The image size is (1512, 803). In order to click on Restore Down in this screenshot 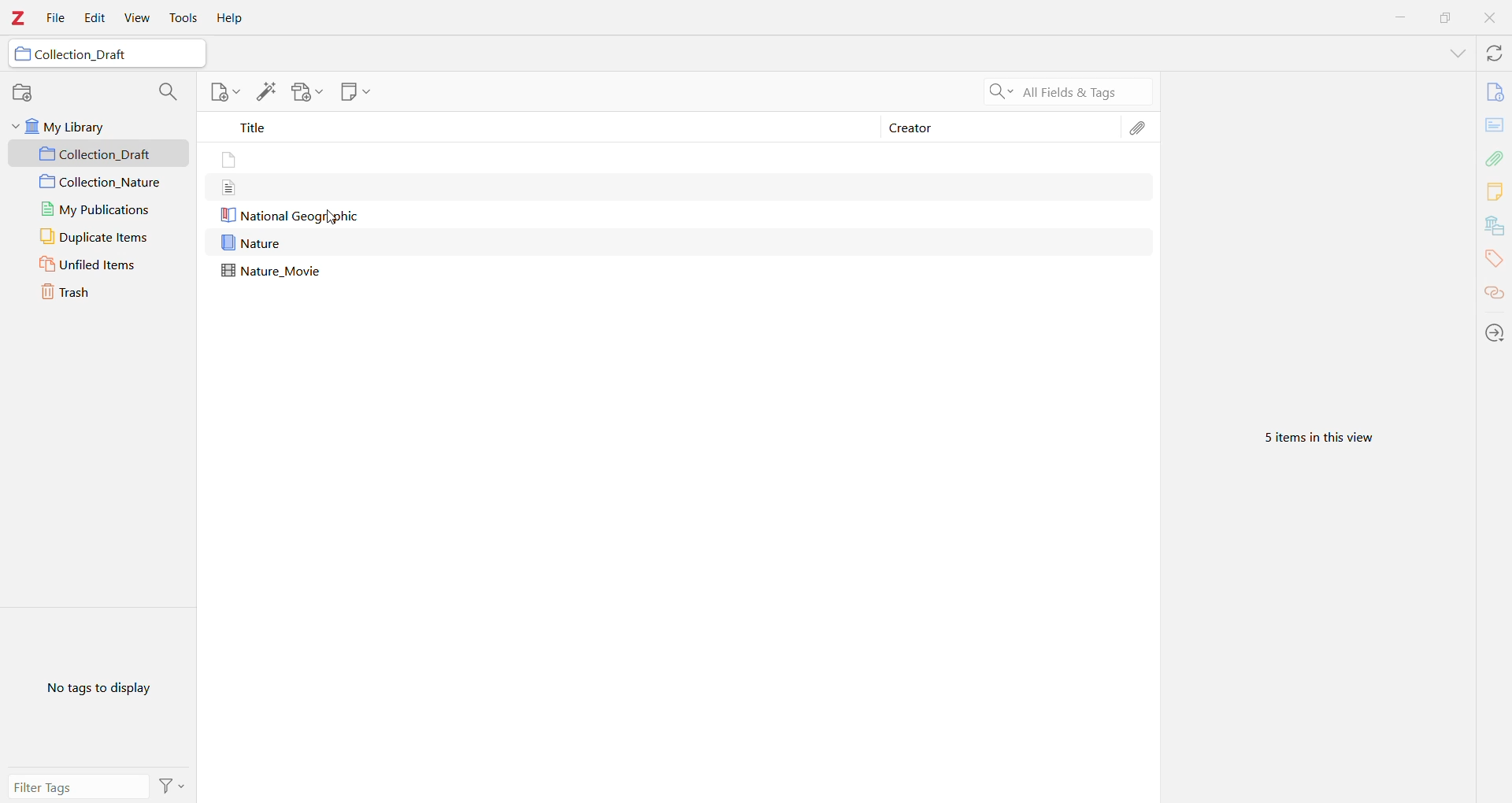, I will do `click(1446, 17)`.